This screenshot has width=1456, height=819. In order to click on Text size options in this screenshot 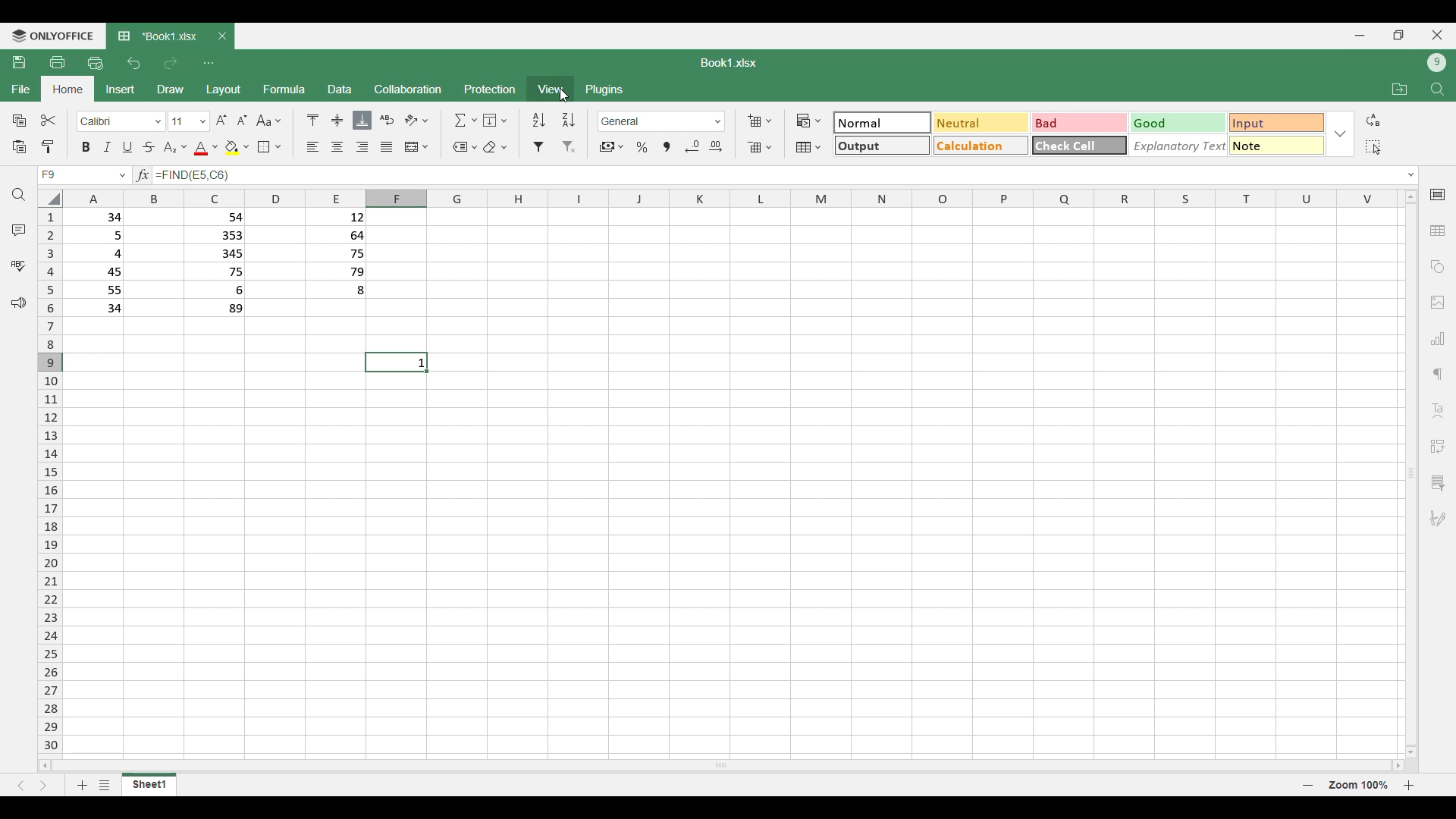, I will do `click(202, 122)`.